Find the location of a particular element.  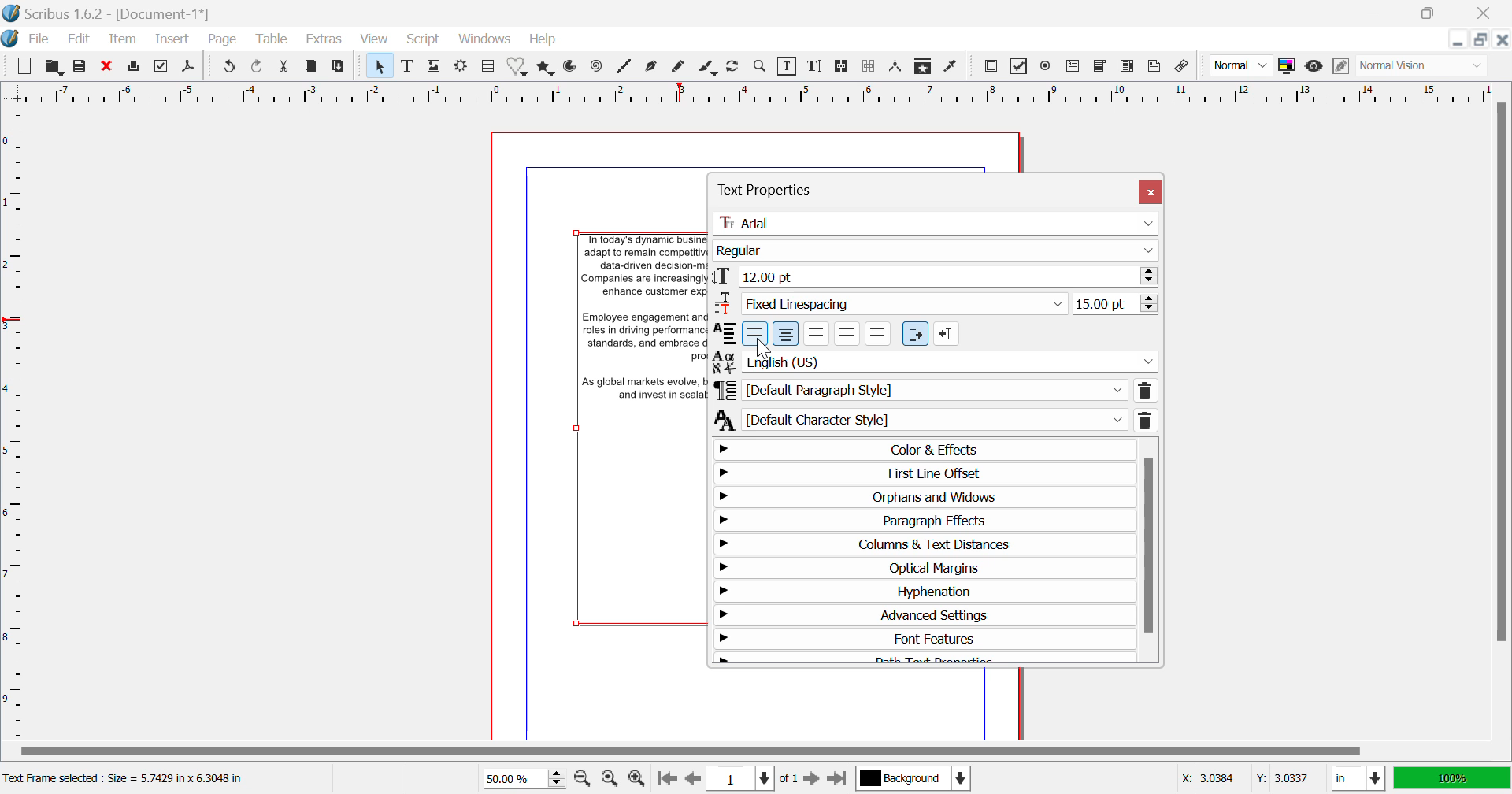

Minimize is located at coordinates (1431, 13).